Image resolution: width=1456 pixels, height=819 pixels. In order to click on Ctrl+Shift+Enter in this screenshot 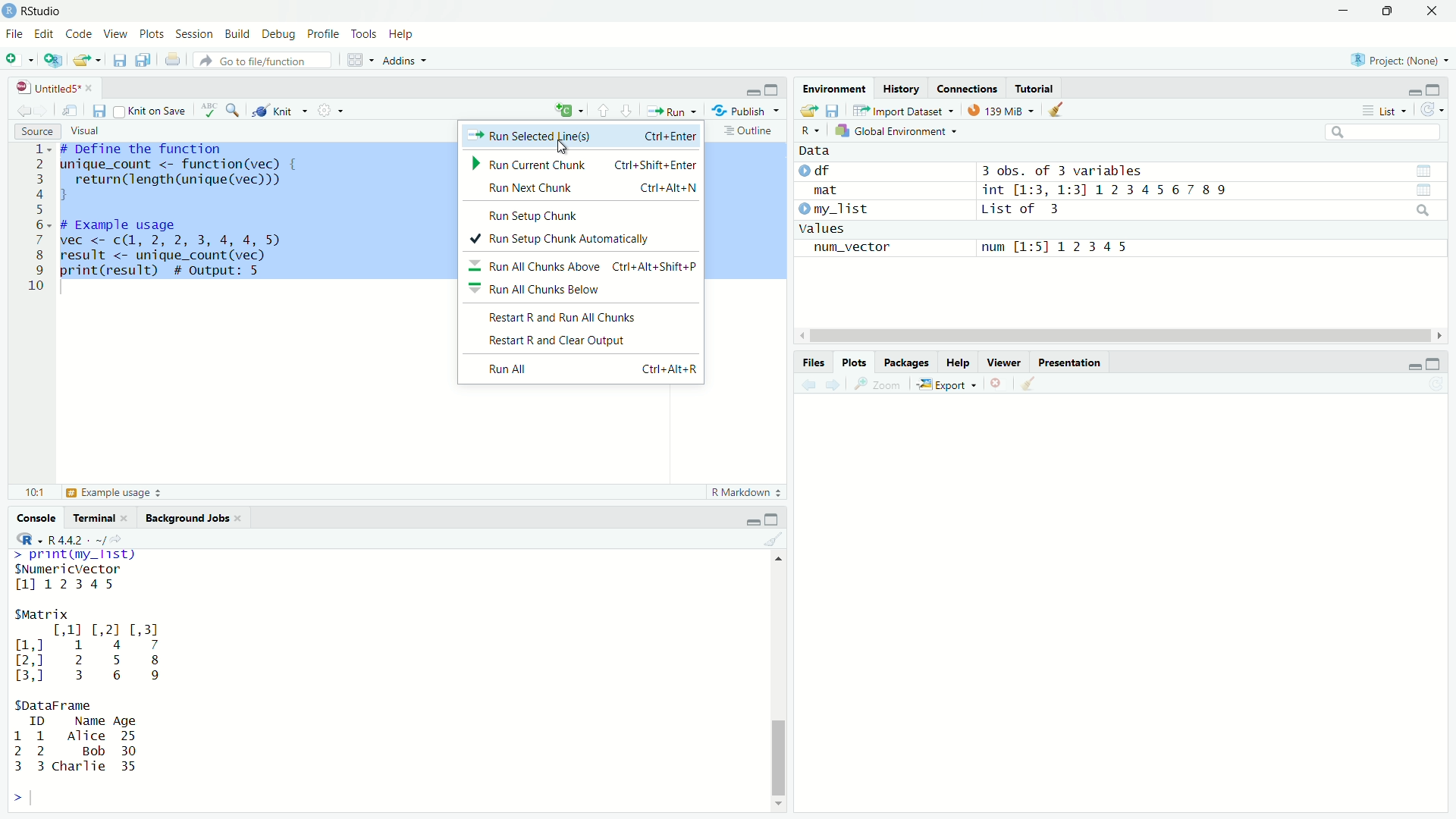, I will do `click(658, 165)`.